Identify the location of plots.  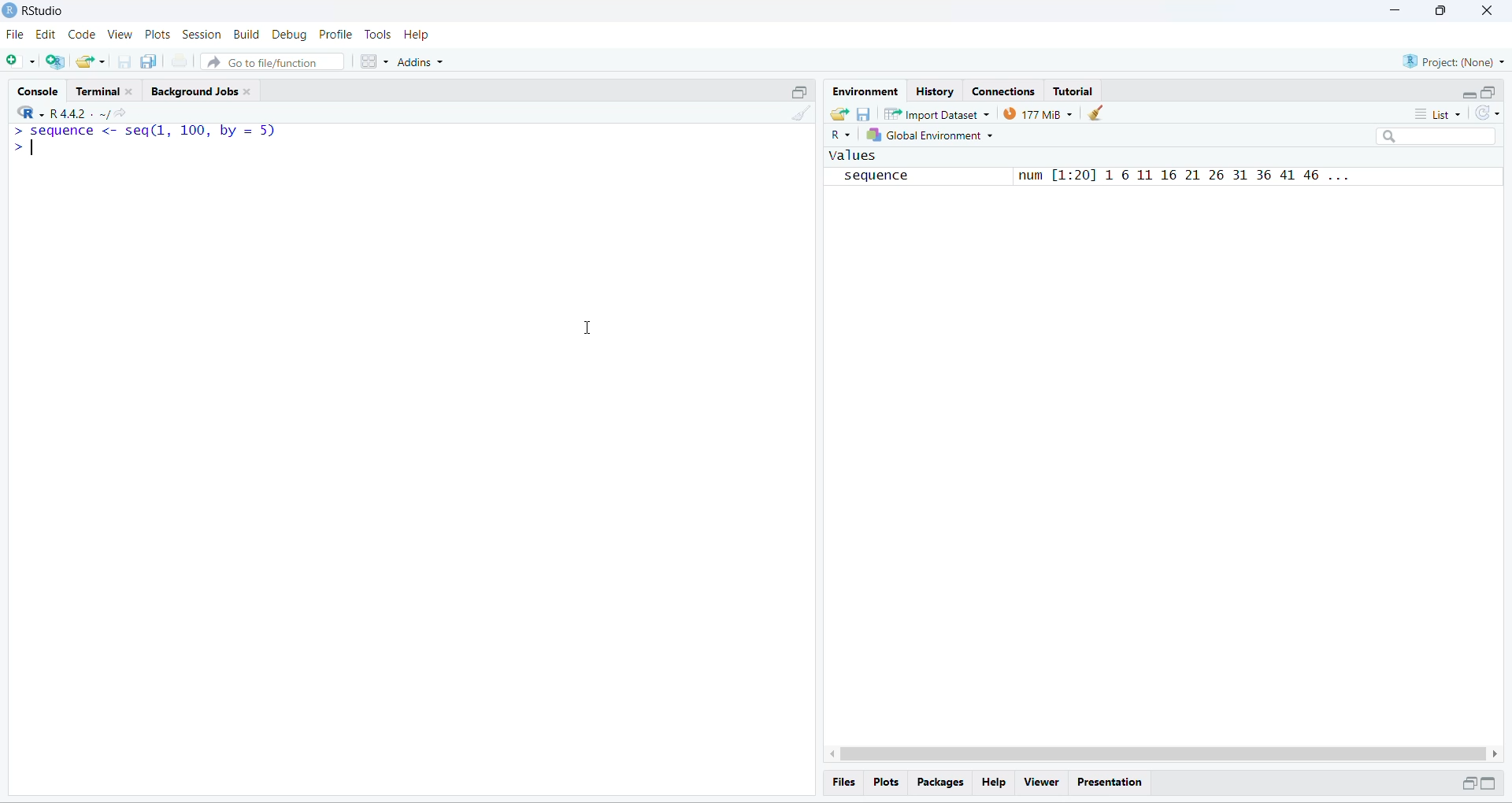
(158, 35).